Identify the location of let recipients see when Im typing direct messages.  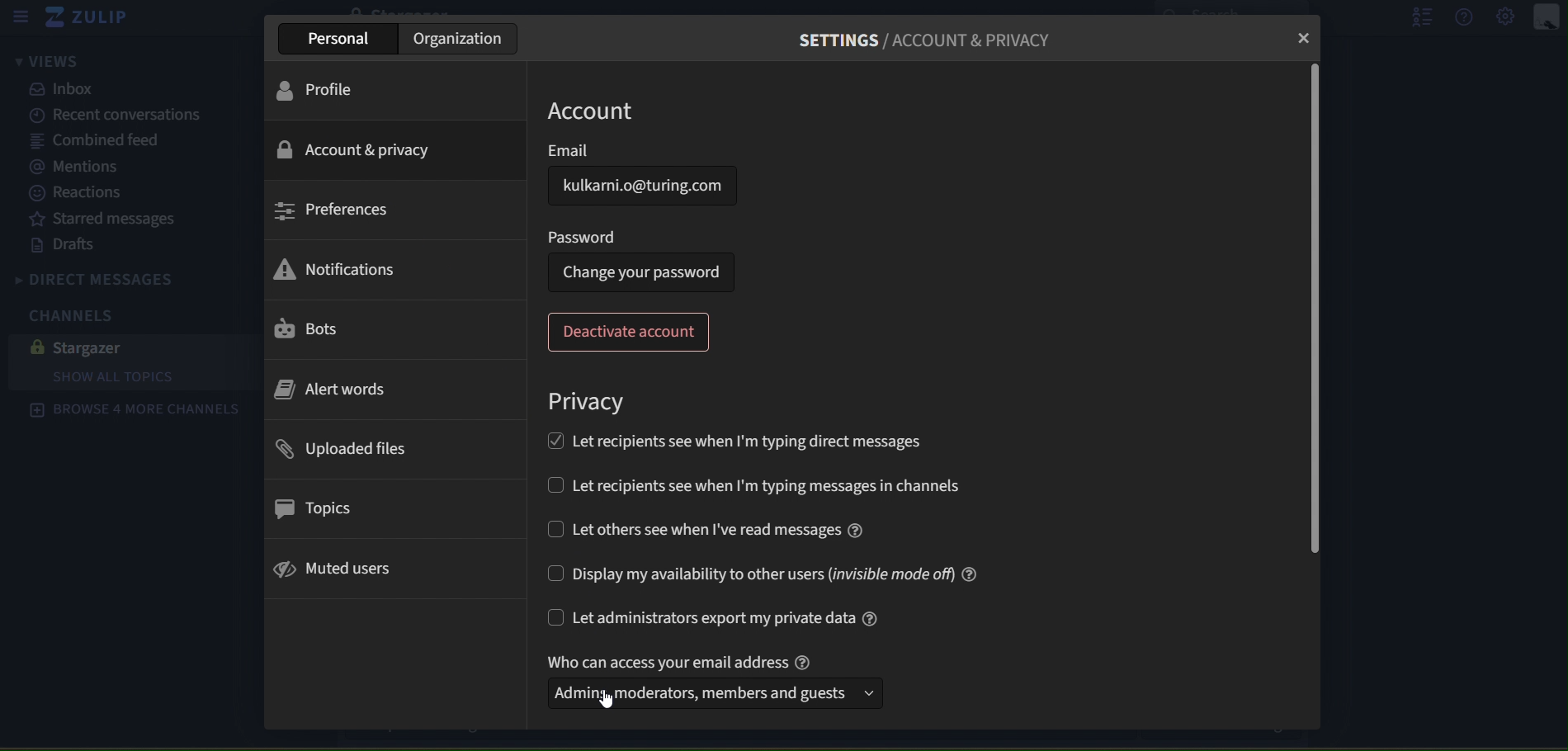
(734, 439).